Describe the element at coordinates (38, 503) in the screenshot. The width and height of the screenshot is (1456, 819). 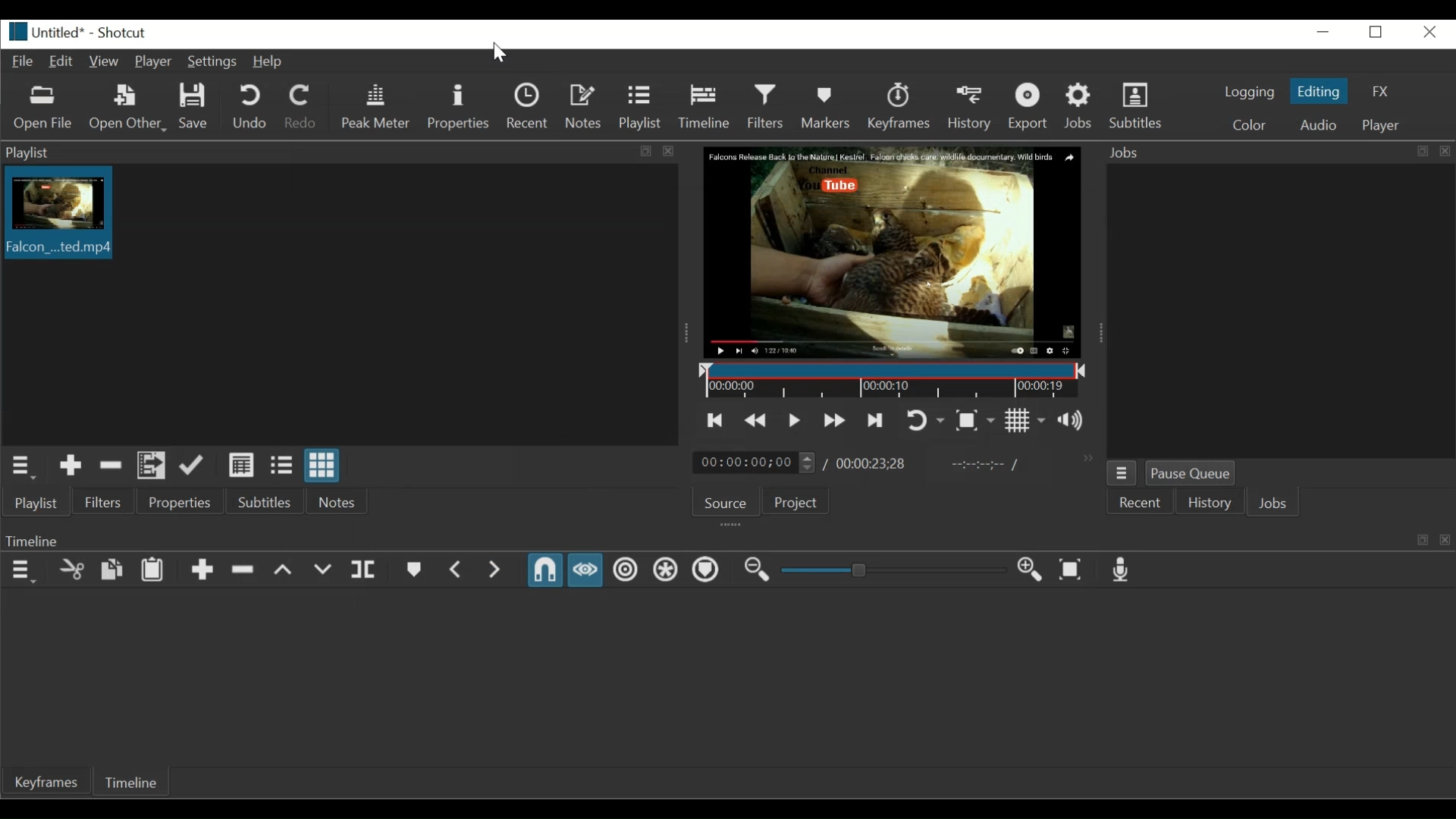
I see `Playlist` at that location.